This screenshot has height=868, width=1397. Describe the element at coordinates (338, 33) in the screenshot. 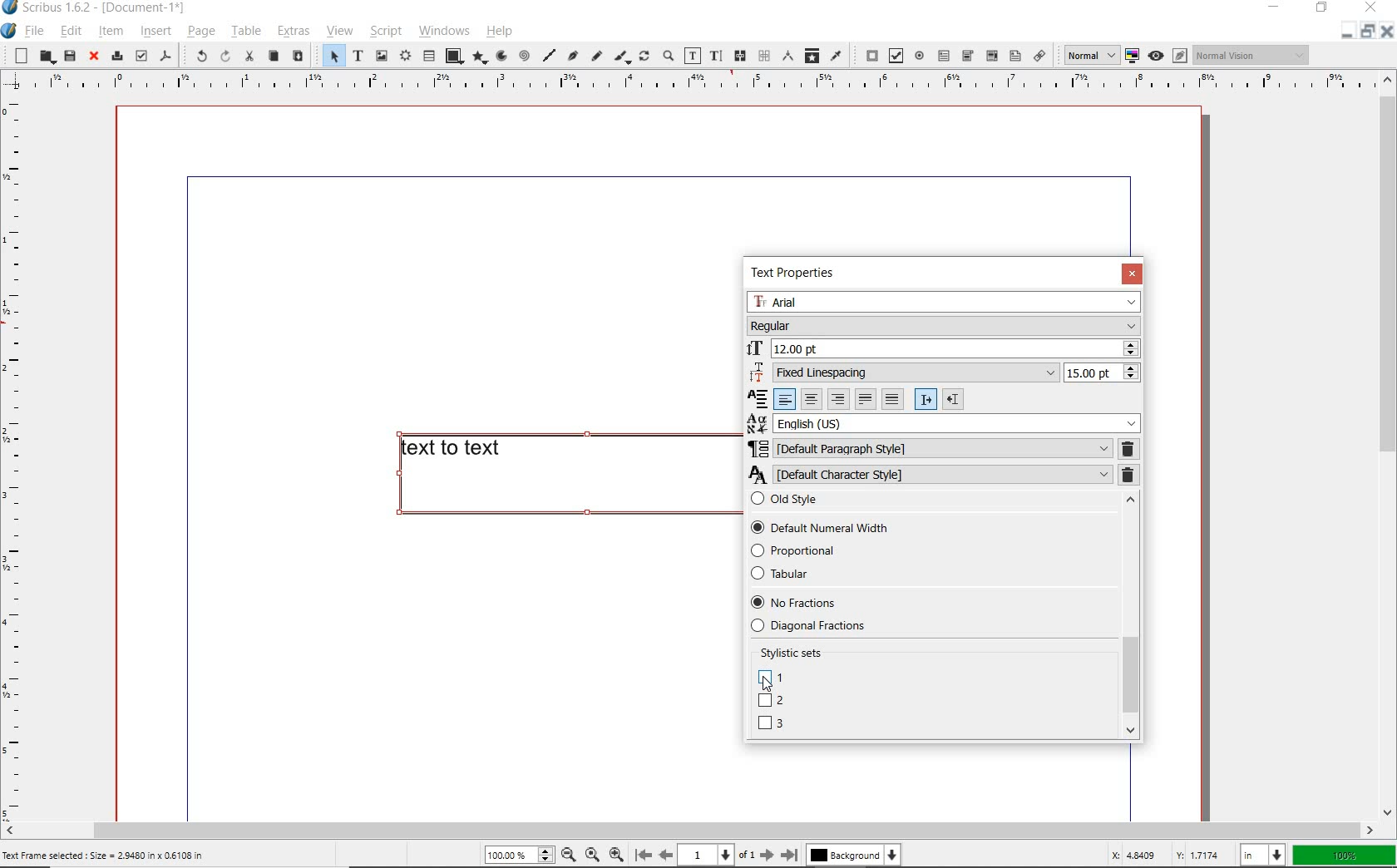

I see `view` at that location.